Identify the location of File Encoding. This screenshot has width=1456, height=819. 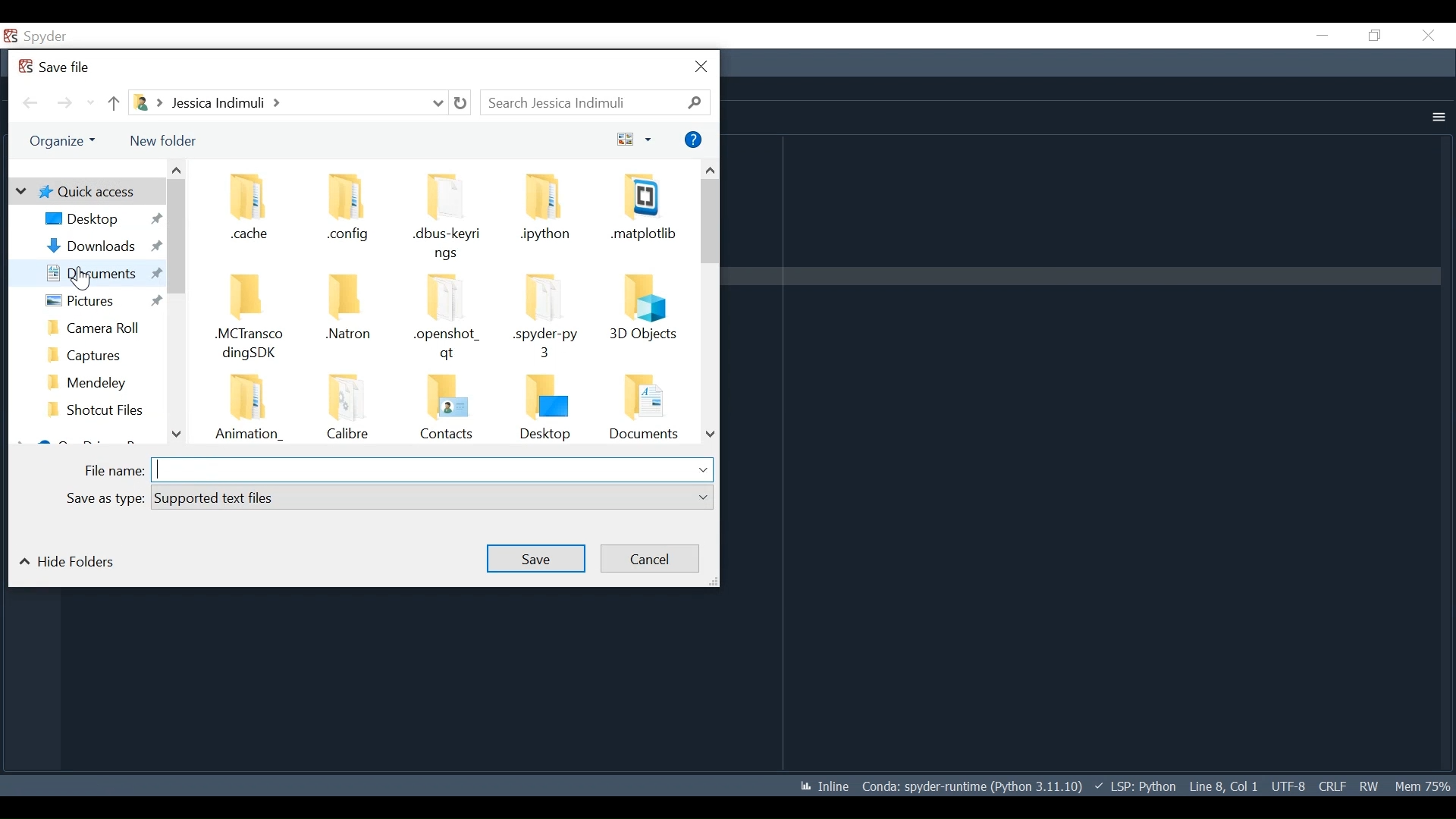
(1289, 786).